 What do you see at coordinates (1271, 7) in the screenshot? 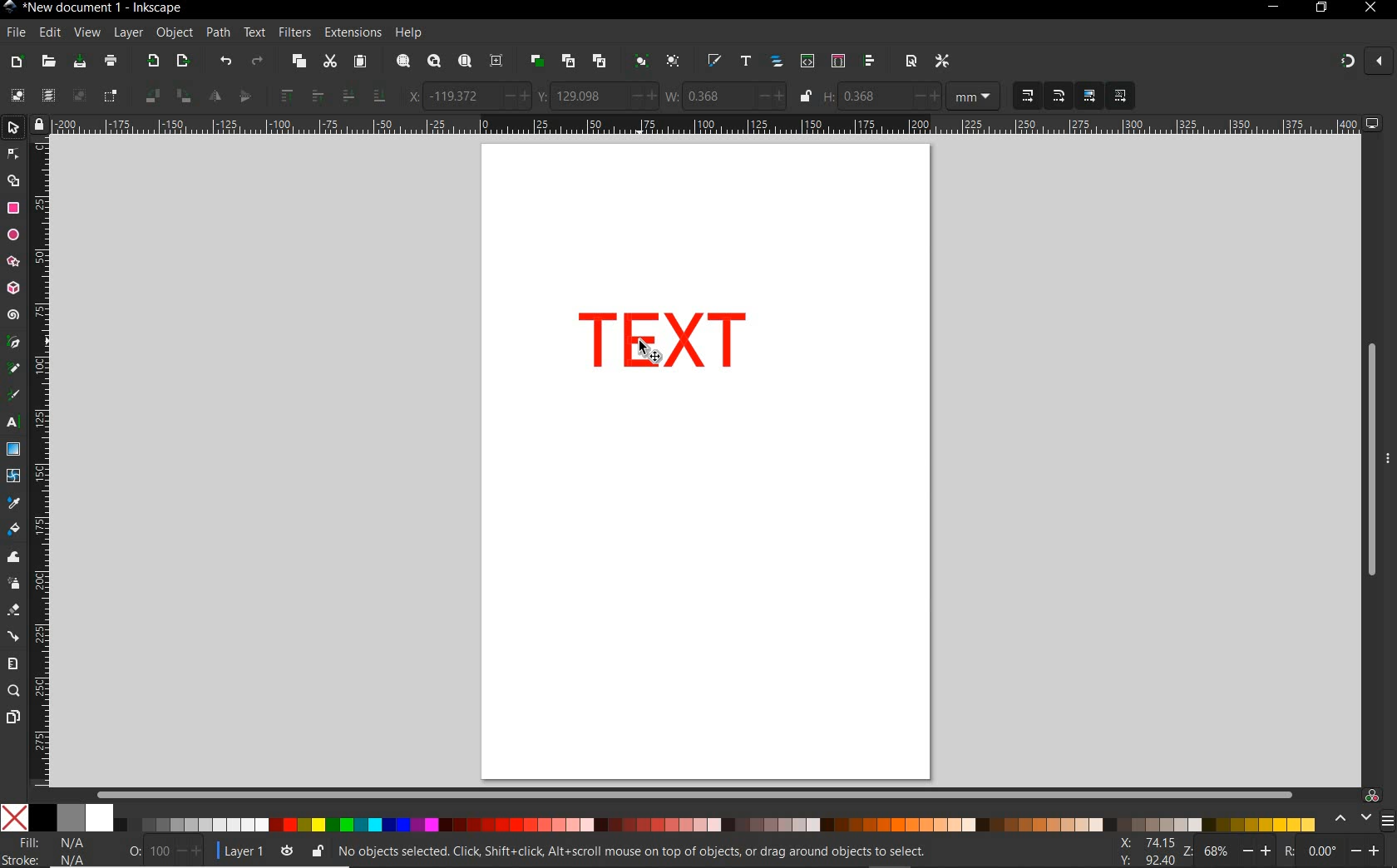
I see `MINIMIZE` at bounding box center [1271, 7].